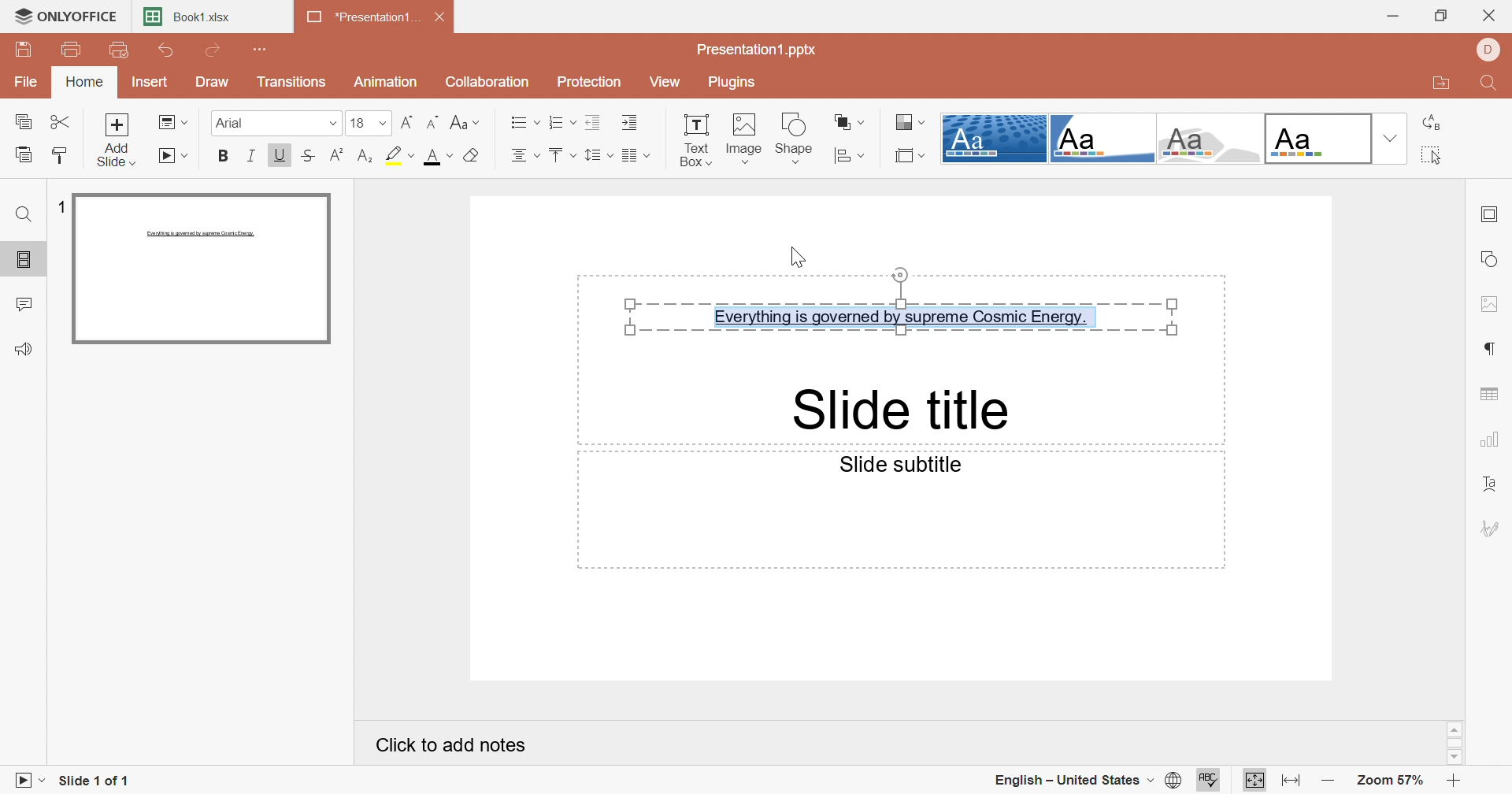 This screenshot has height=794, width=1512. I want to click on Everything is governed by supreme Cosmic Energy., so click(906, 302).